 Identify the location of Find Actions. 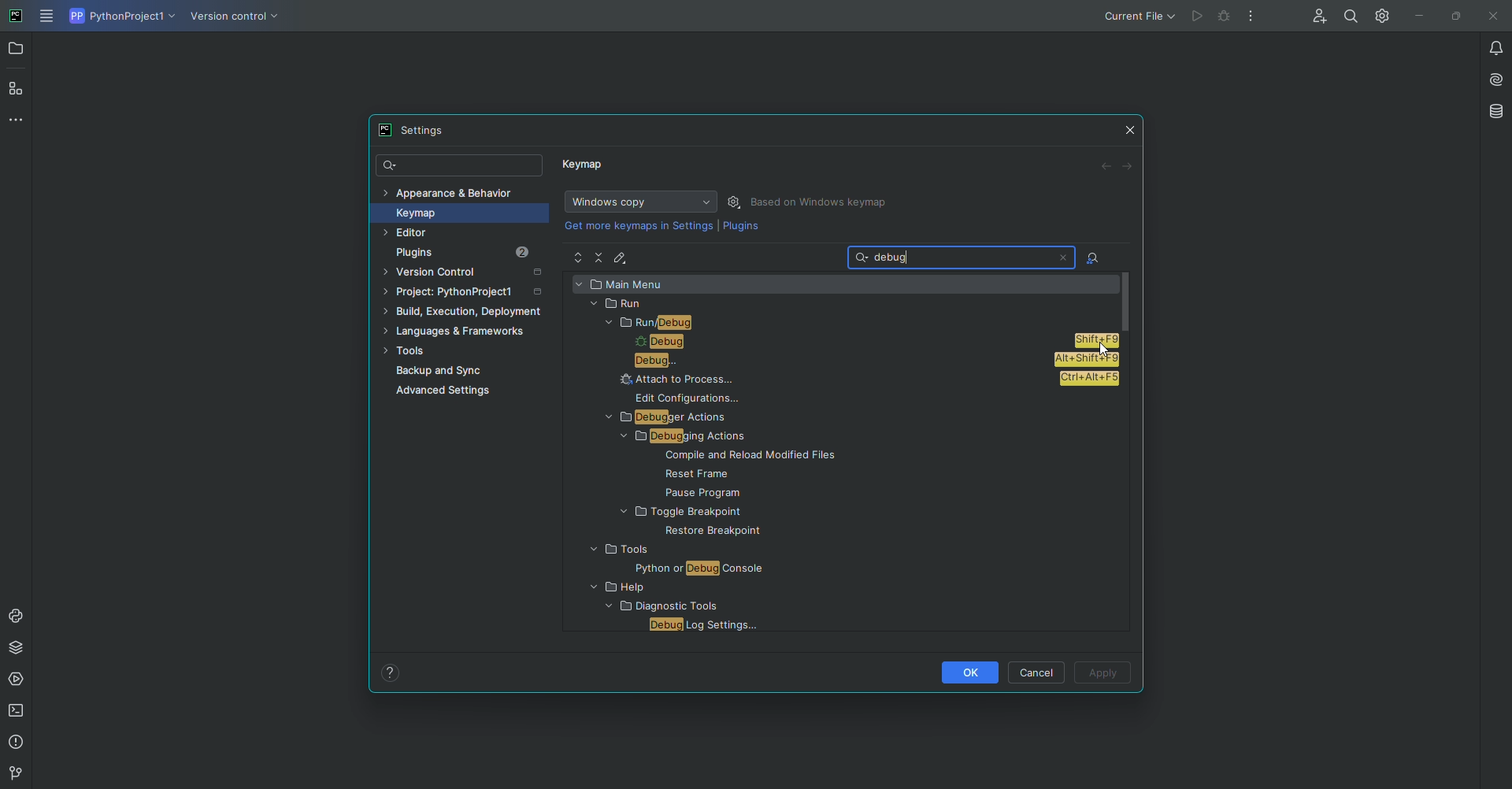
(1093, 259).